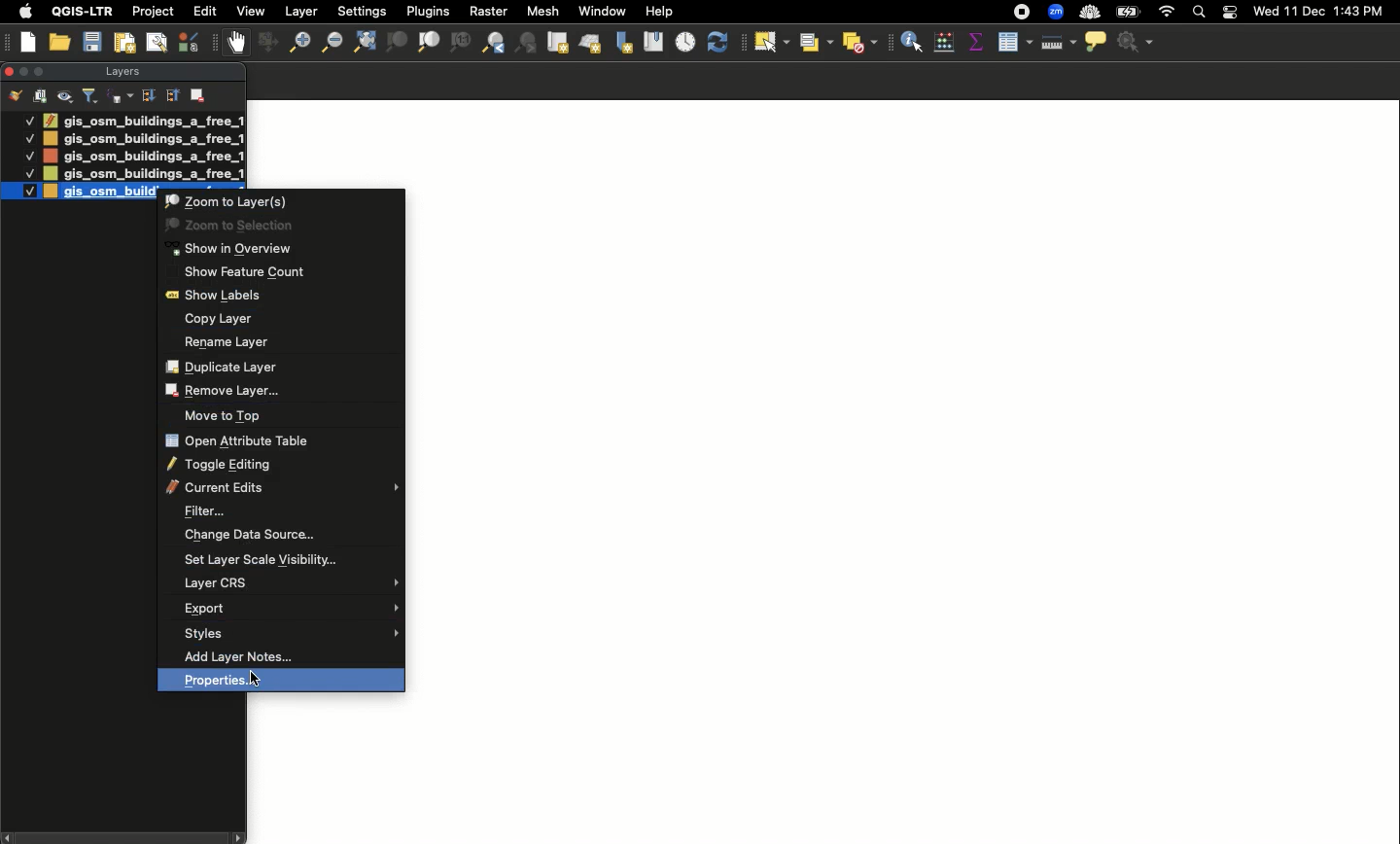 The height and width of the screenshot is (844, 1400). I want to click on Filter legend, so click(91, 96).